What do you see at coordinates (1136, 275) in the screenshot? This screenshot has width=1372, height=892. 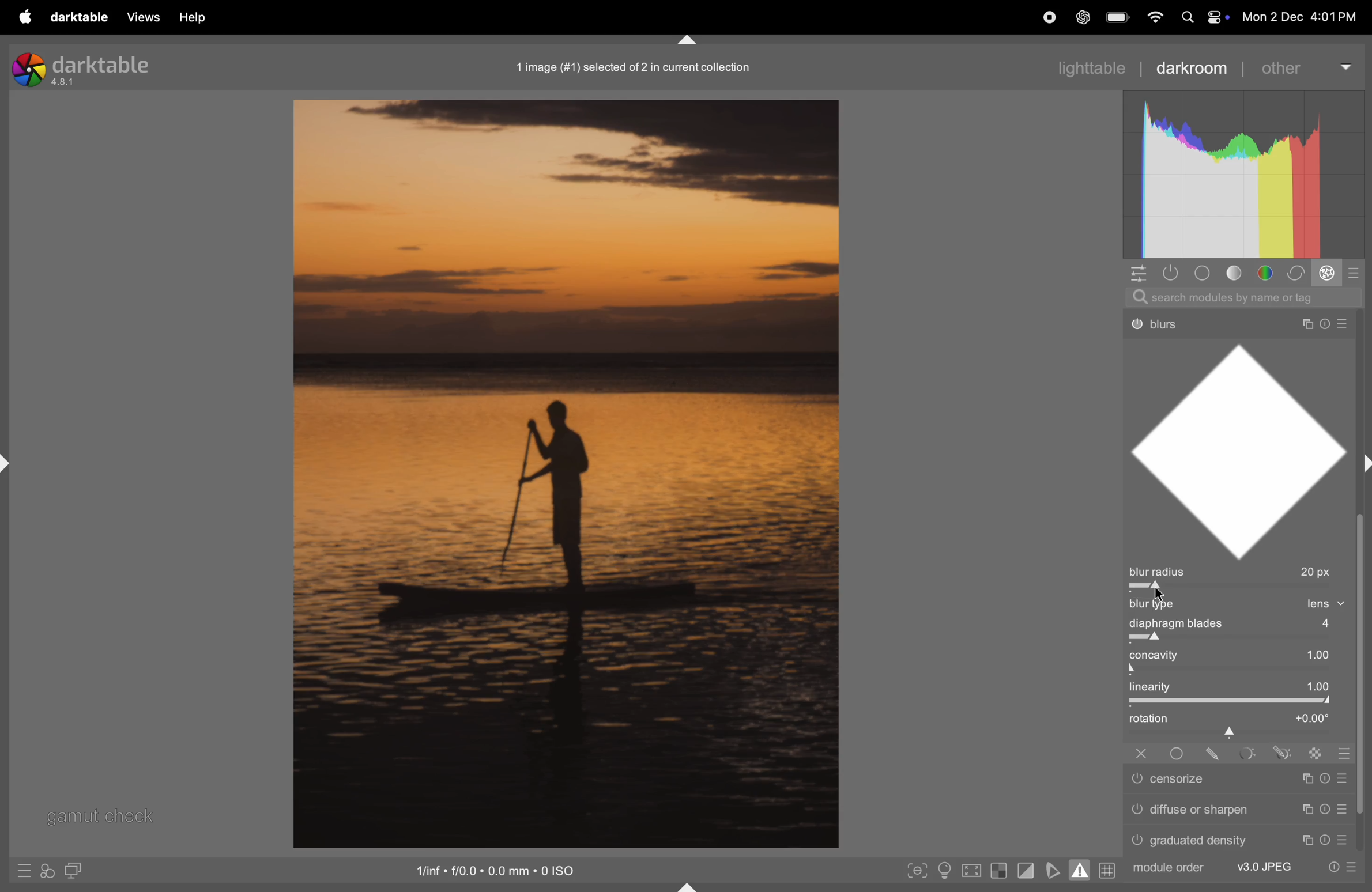 I see `quick acess to panel` at bounding box center [1136, 275].